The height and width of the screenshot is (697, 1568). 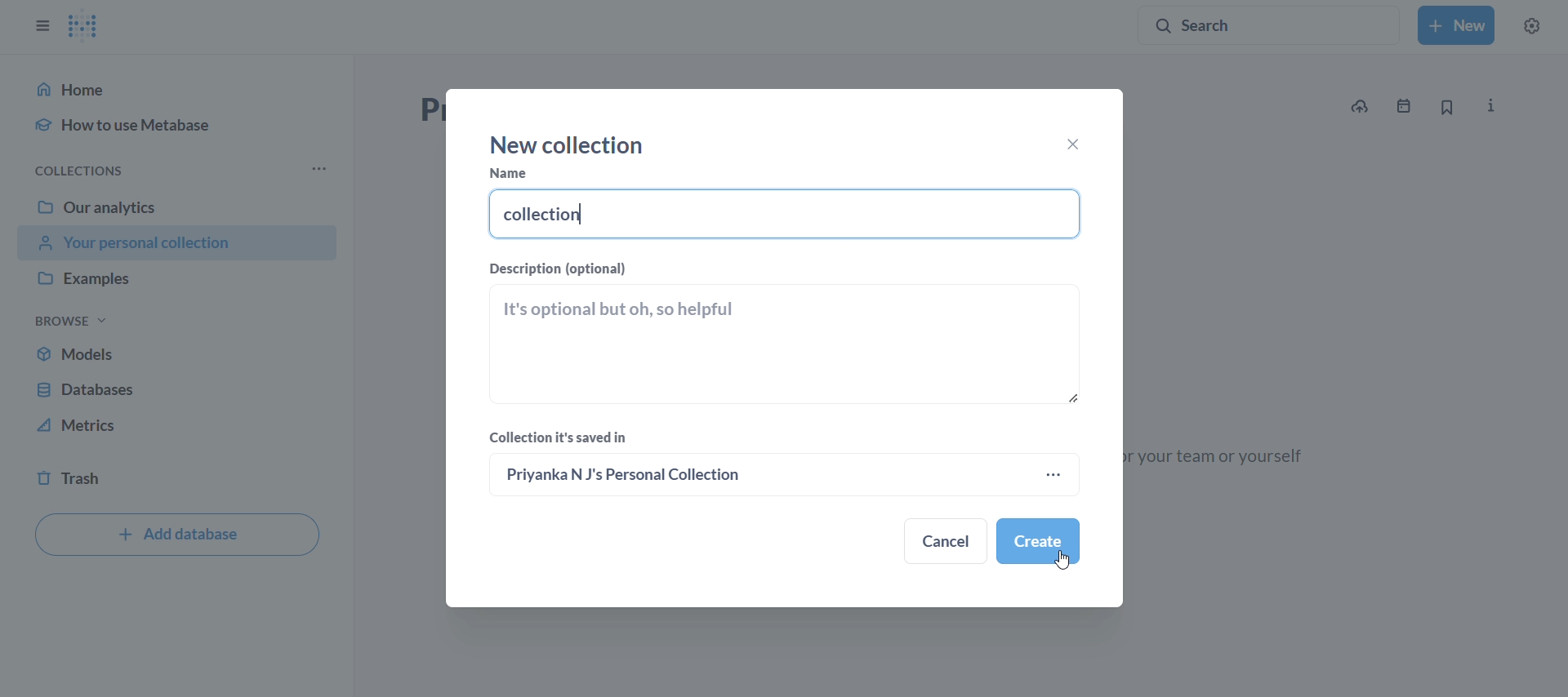 What do you see at coordinates (71, 318) in the screenshot?
I see `browse` at bounding box center [71, 318].